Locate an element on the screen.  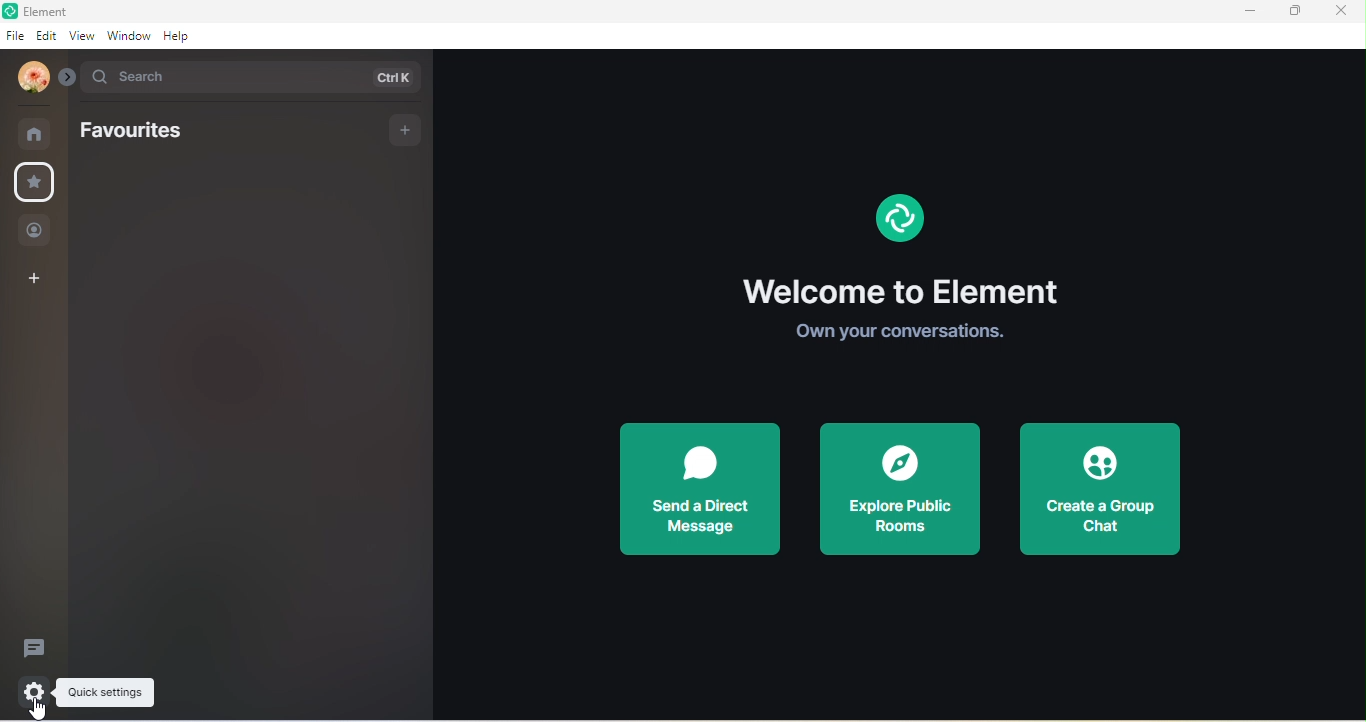
close is located at coordinates (1346, 14).